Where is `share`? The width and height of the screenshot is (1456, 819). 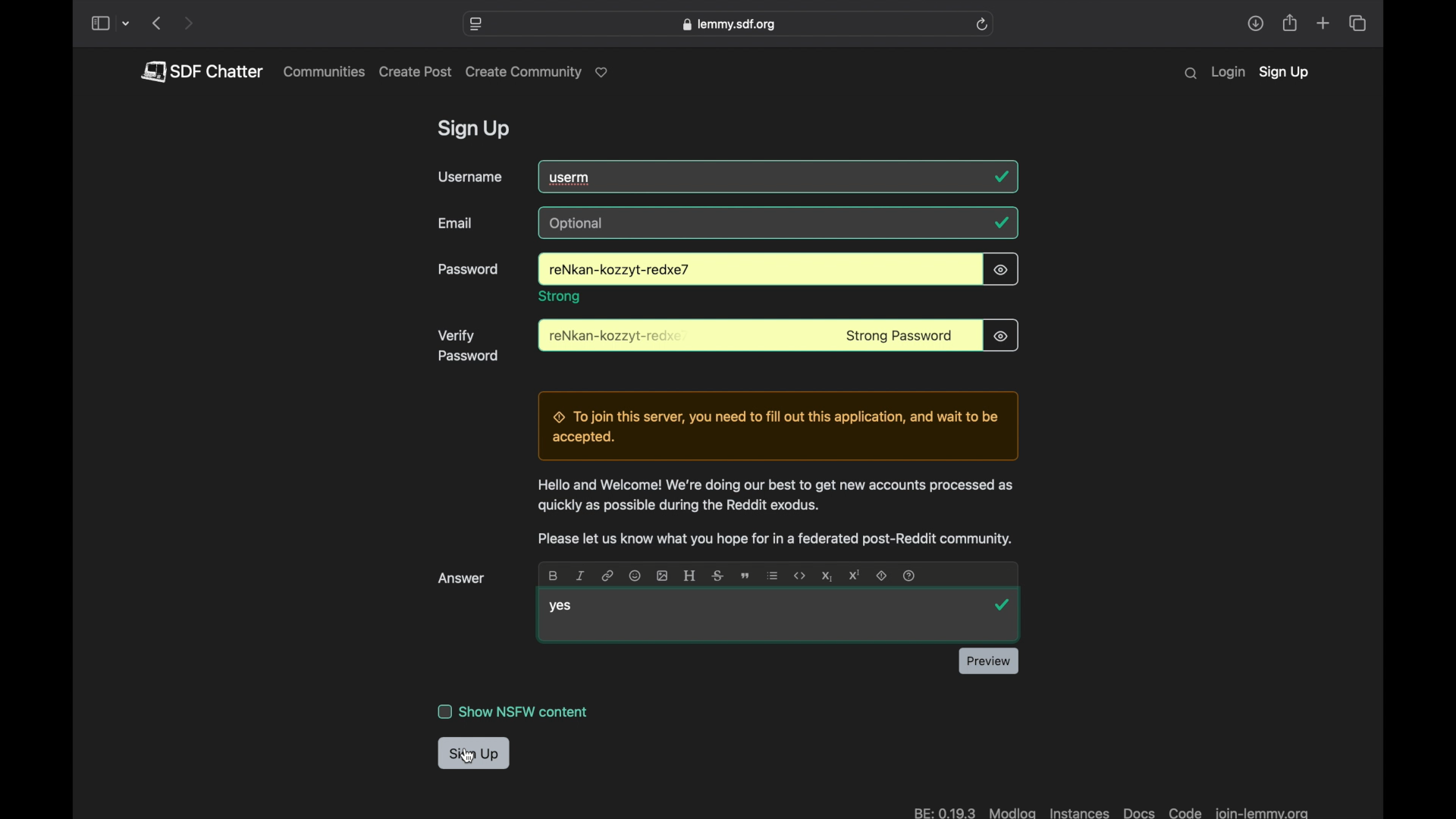 share is located at coordinates (1291, 24).